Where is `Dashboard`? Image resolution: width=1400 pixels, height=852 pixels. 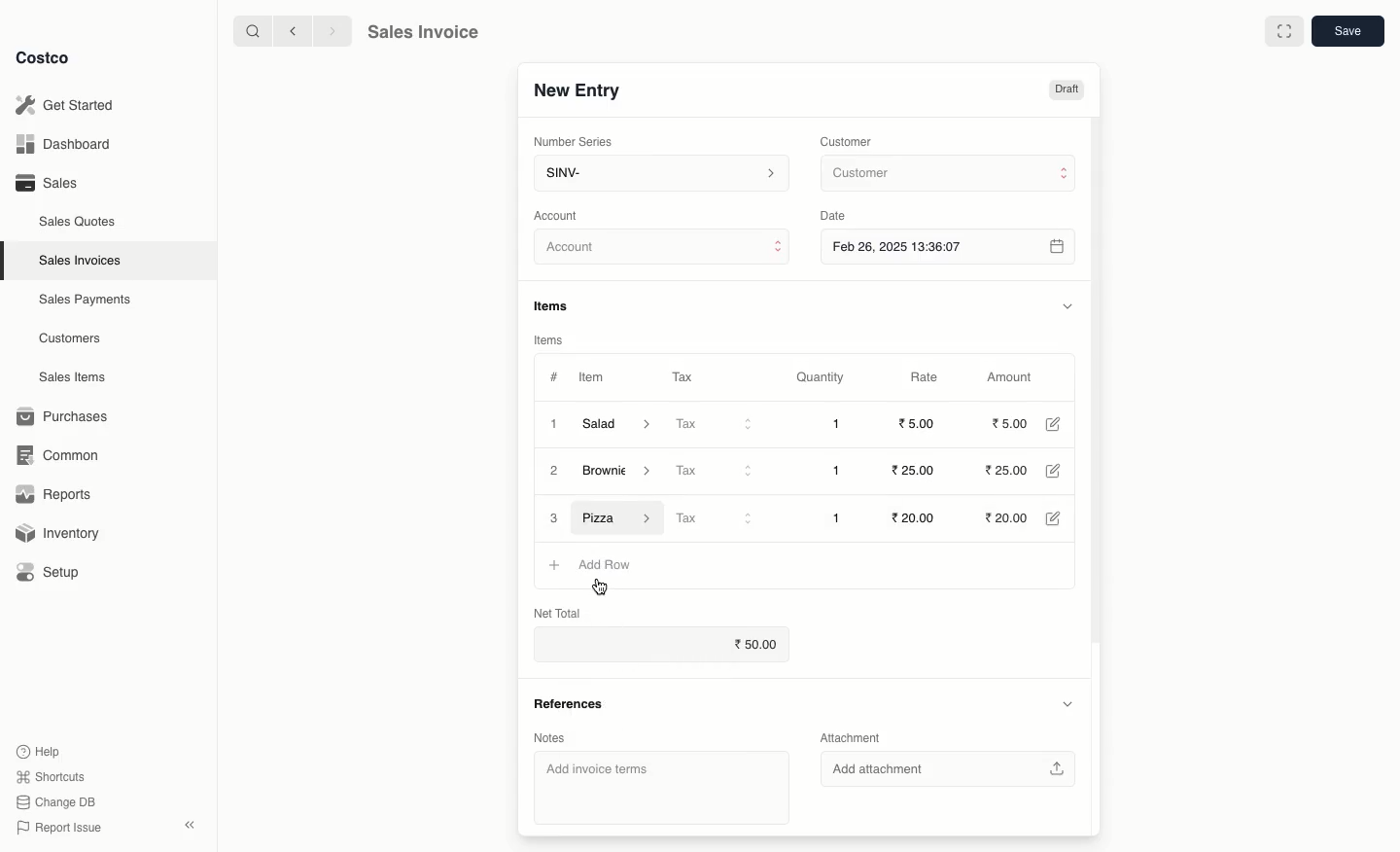
Dashboard is located at coordinates (60, 145).